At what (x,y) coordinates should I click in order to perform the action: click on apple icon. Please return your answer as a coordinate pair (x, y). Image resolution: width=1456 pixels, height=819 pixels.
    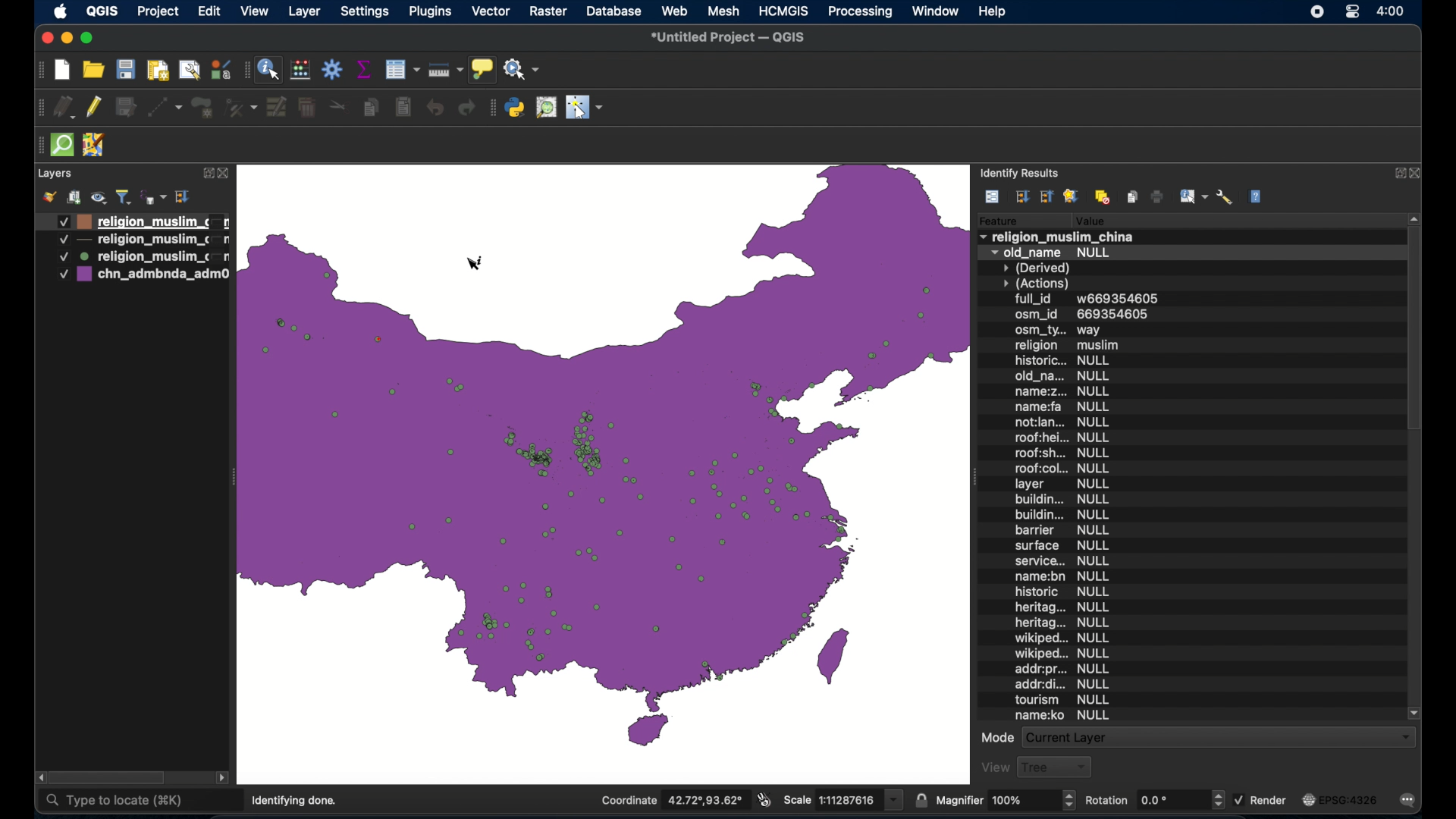
    Looking at the image, I should click on (61, 13).